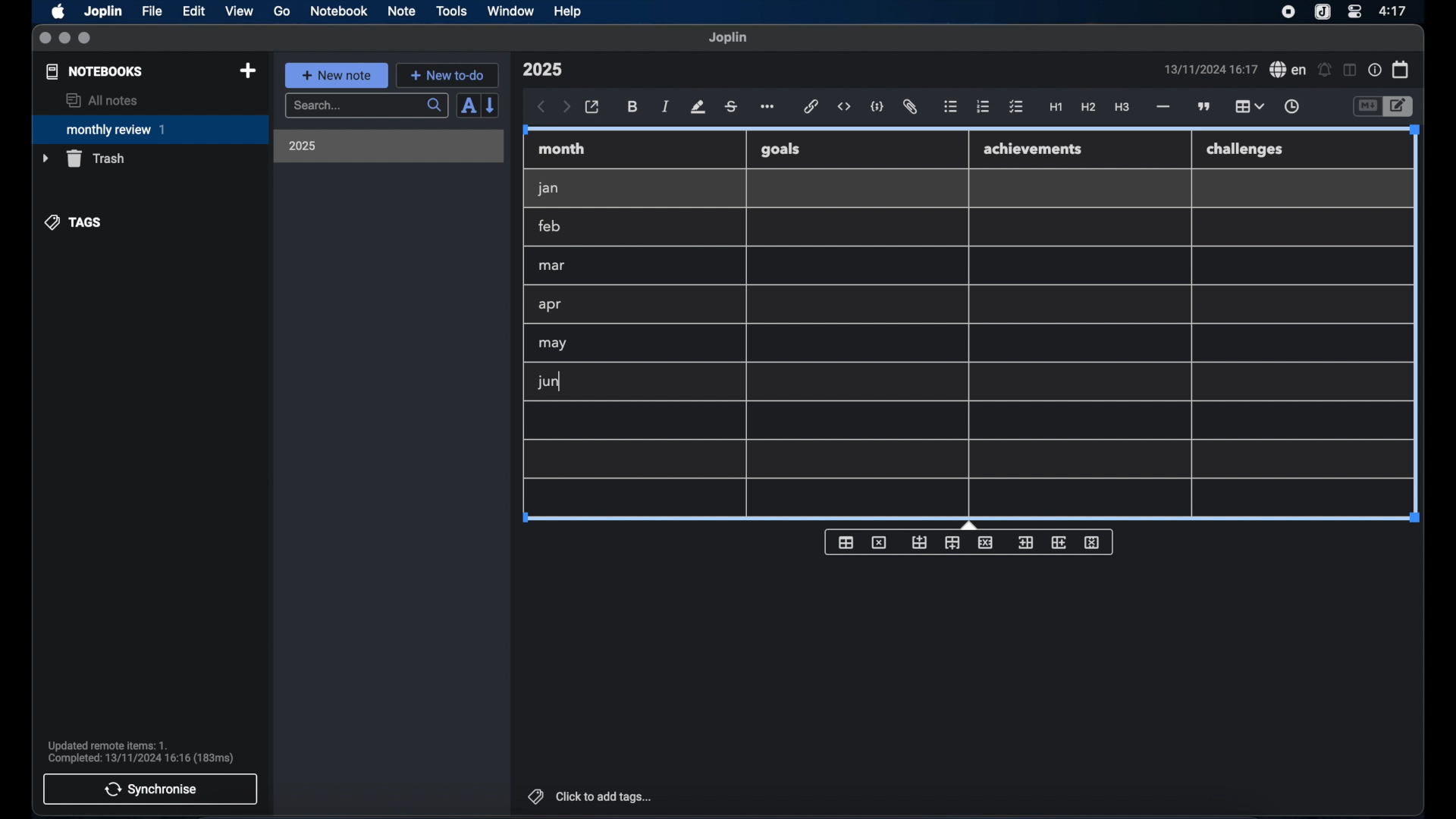  Describe the element at coordinates (1401, 69) in the screenshot. I see `calendar` at that location.